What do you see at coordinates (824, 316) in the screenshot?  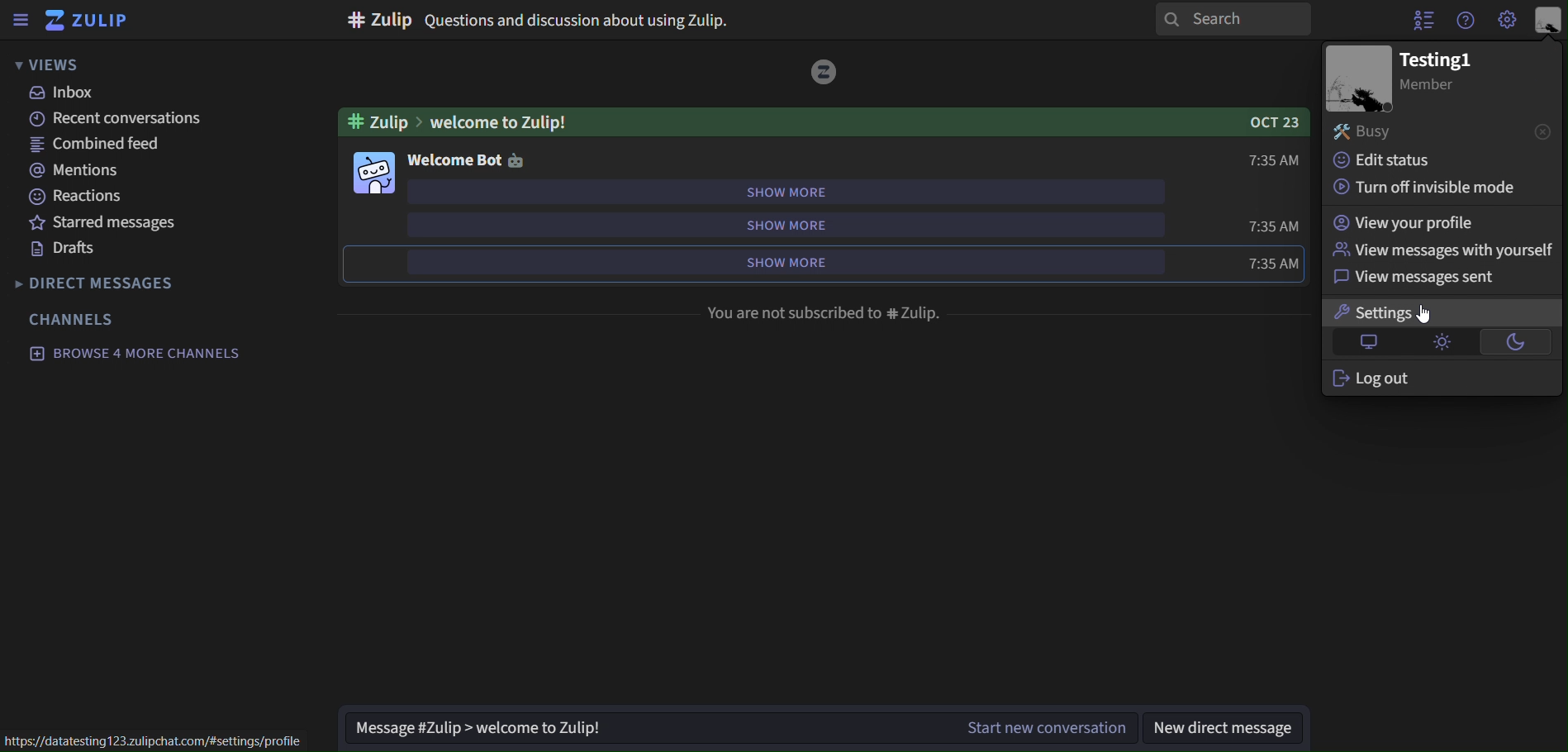 I see `you are not subscribed to #Zulip.` at bounding box center [824, 316].